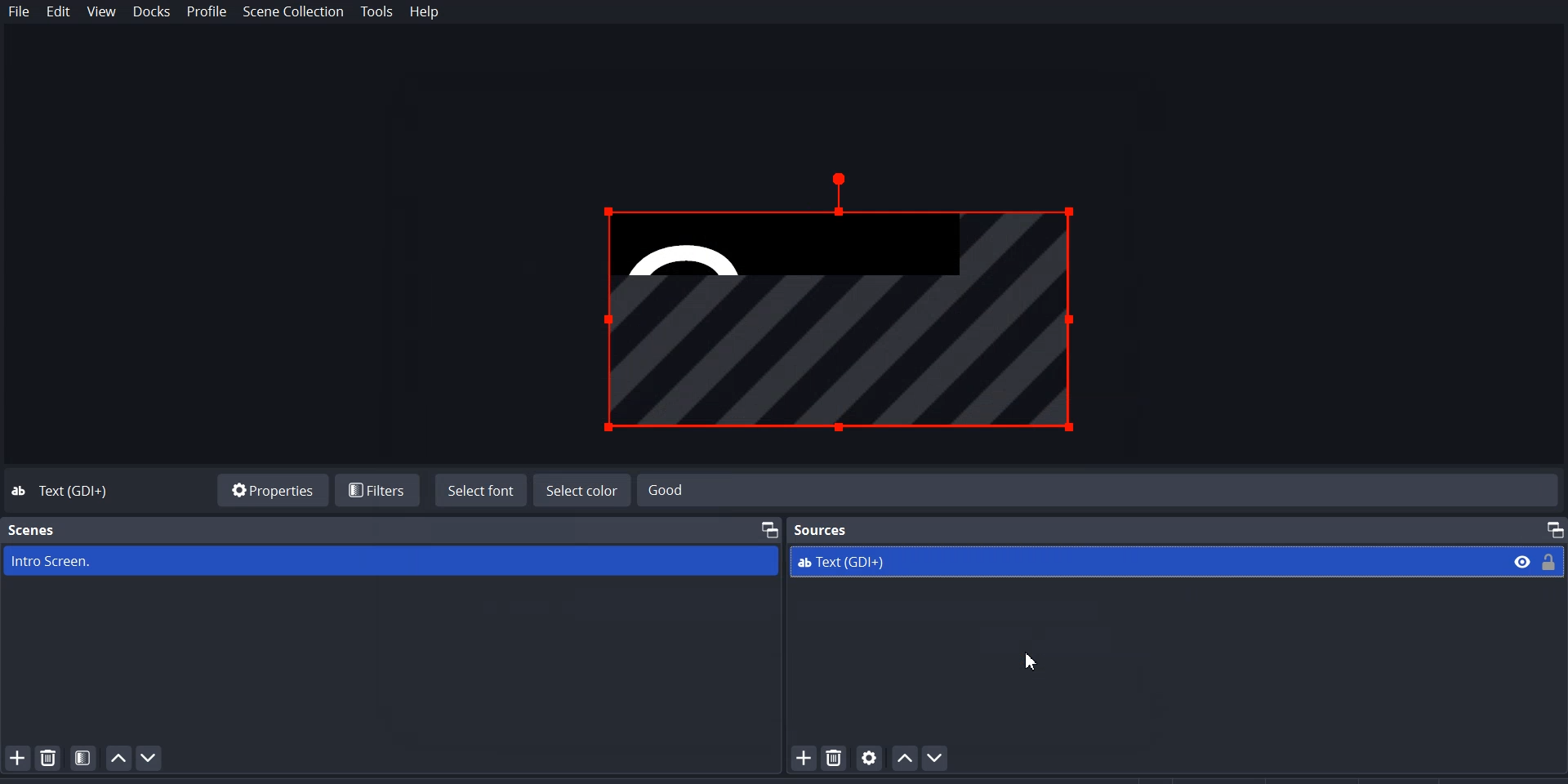 The width and height of the screenshot is (1568, 784). Describe the element at coordinates (295, 12) in the screenshot. I see `Scene collection` at that location.